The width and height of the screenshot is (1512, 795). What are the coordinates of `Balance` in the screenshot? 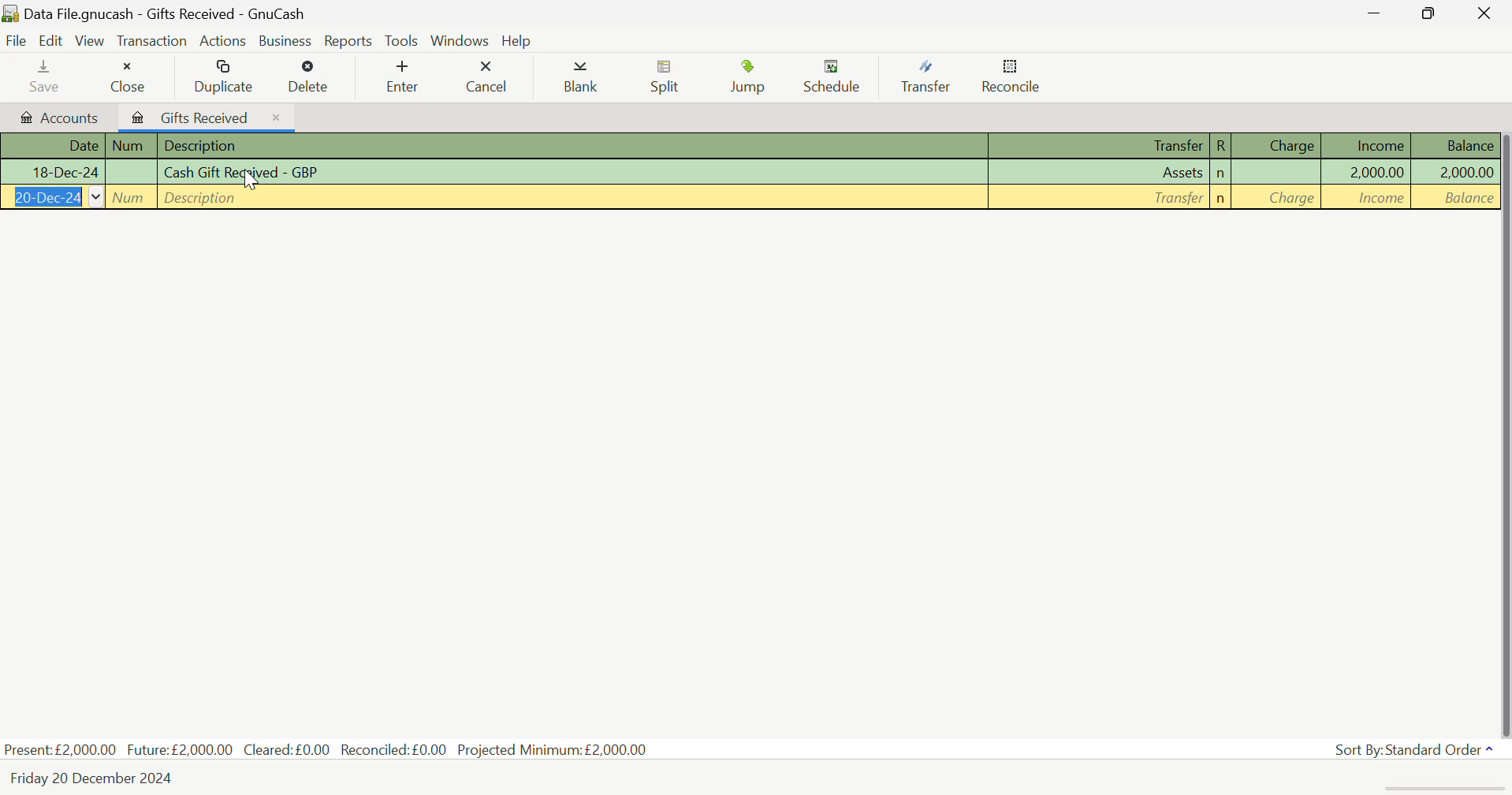 It's located at (1455, 197).